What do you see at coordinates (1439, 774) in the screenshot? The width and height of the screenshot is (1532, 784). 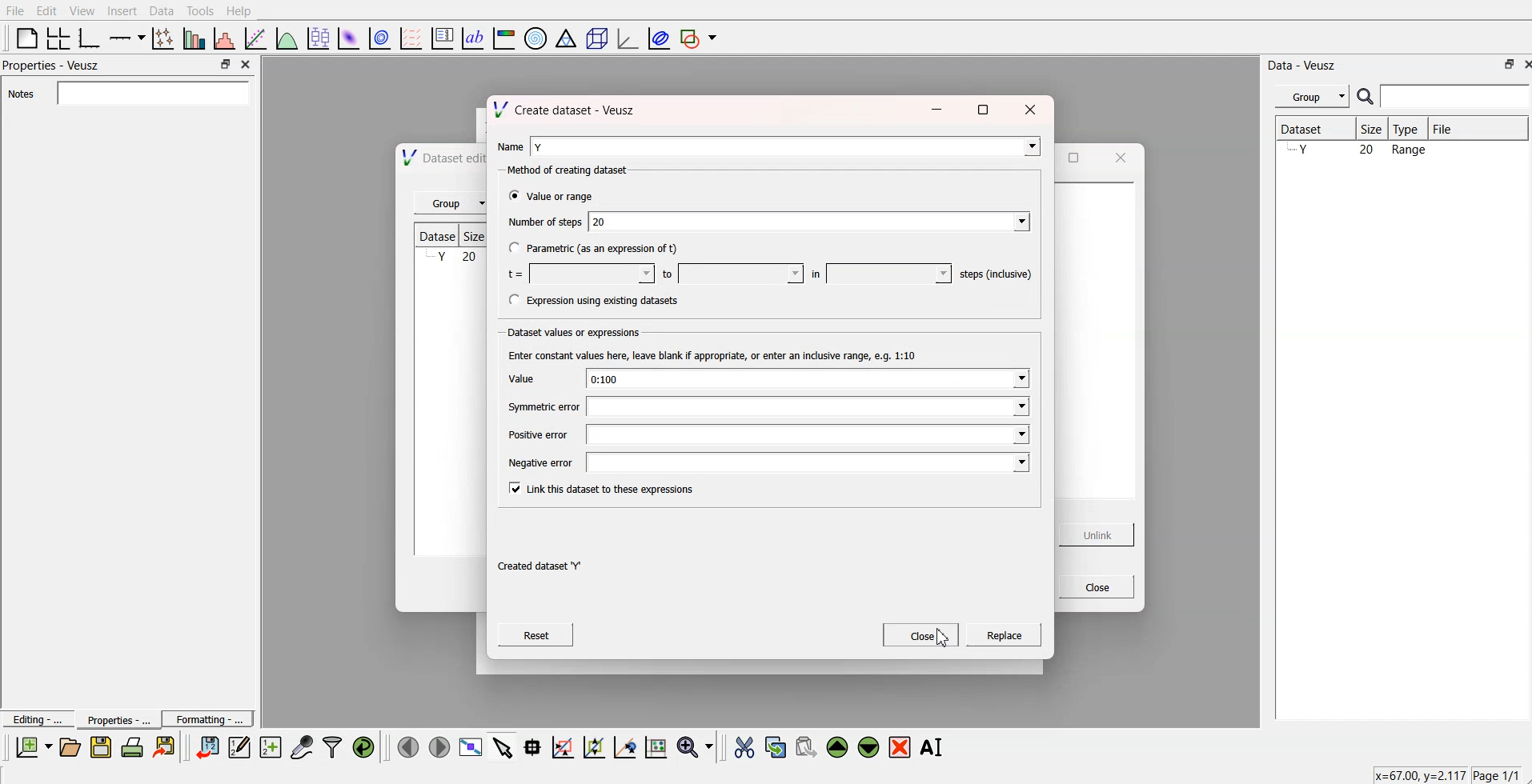 I see `x=67.00 , y=2.117 page 1/1` at bounding box center [1439, 774].